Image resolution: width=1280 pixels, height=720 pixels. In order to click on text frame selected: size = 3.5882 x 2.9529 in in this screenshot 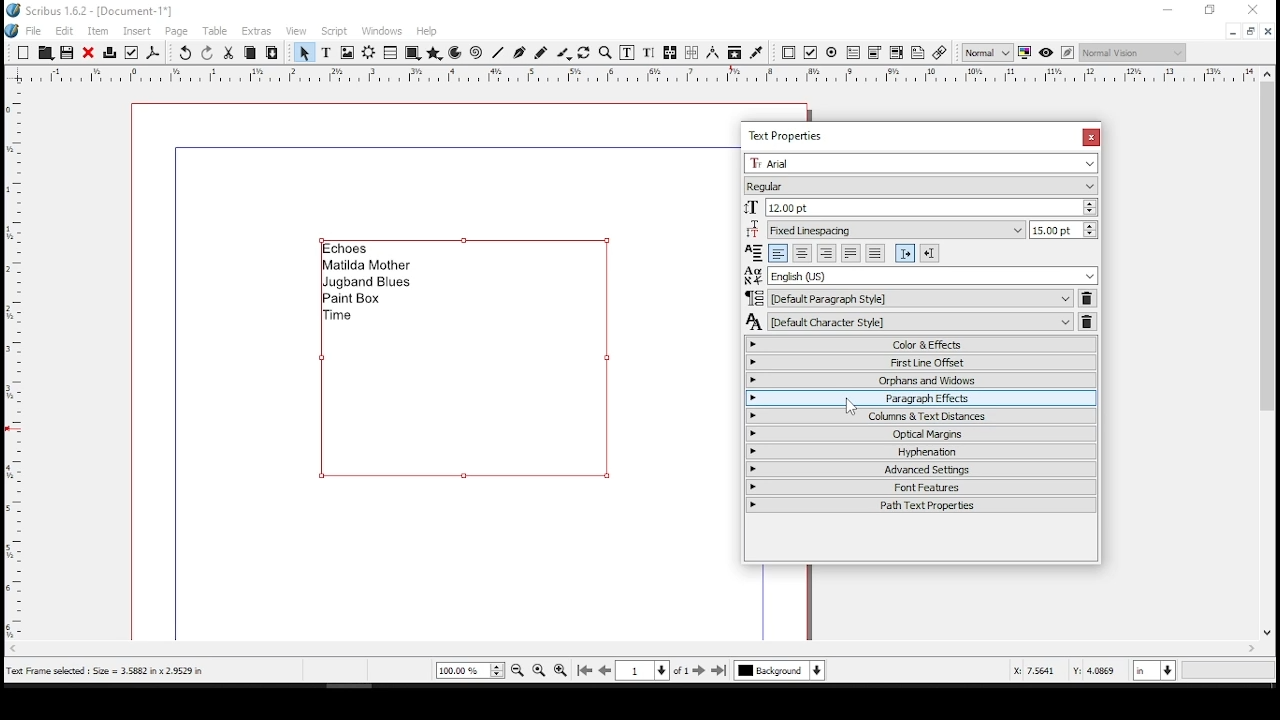, I will do `click(111, 671)`.